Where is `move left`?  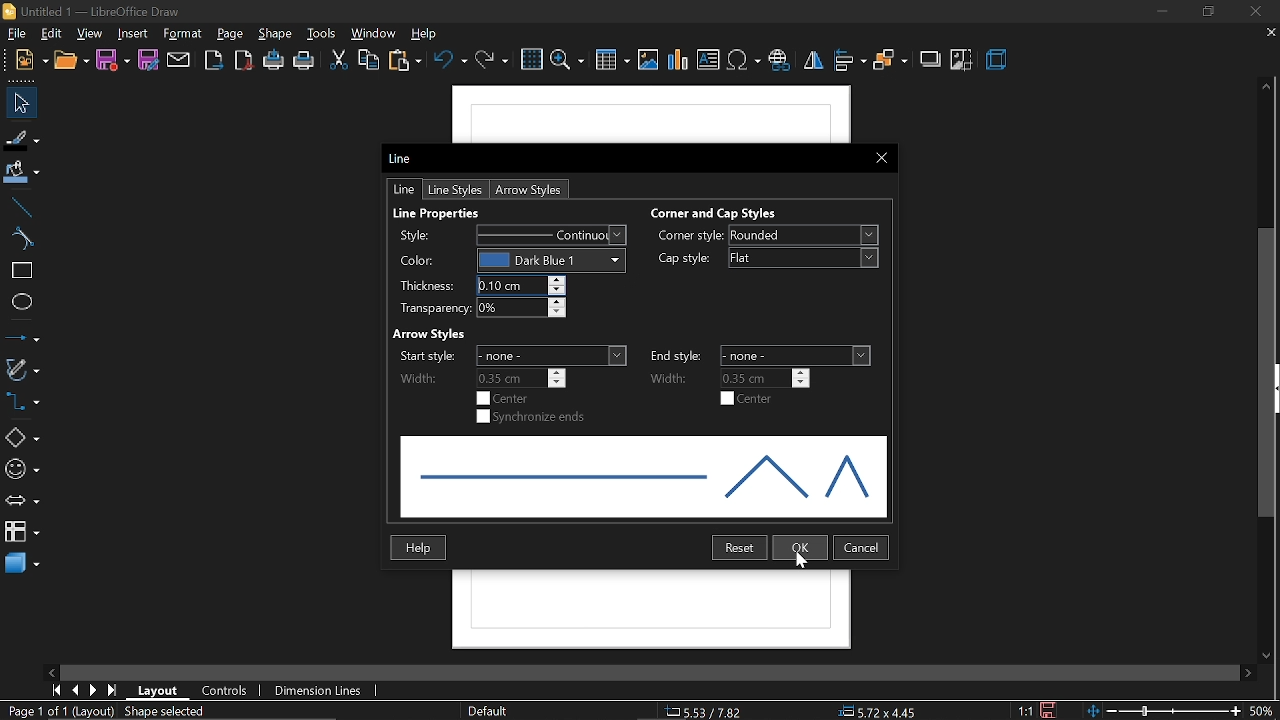 move left is located at coordinates (54, 670).